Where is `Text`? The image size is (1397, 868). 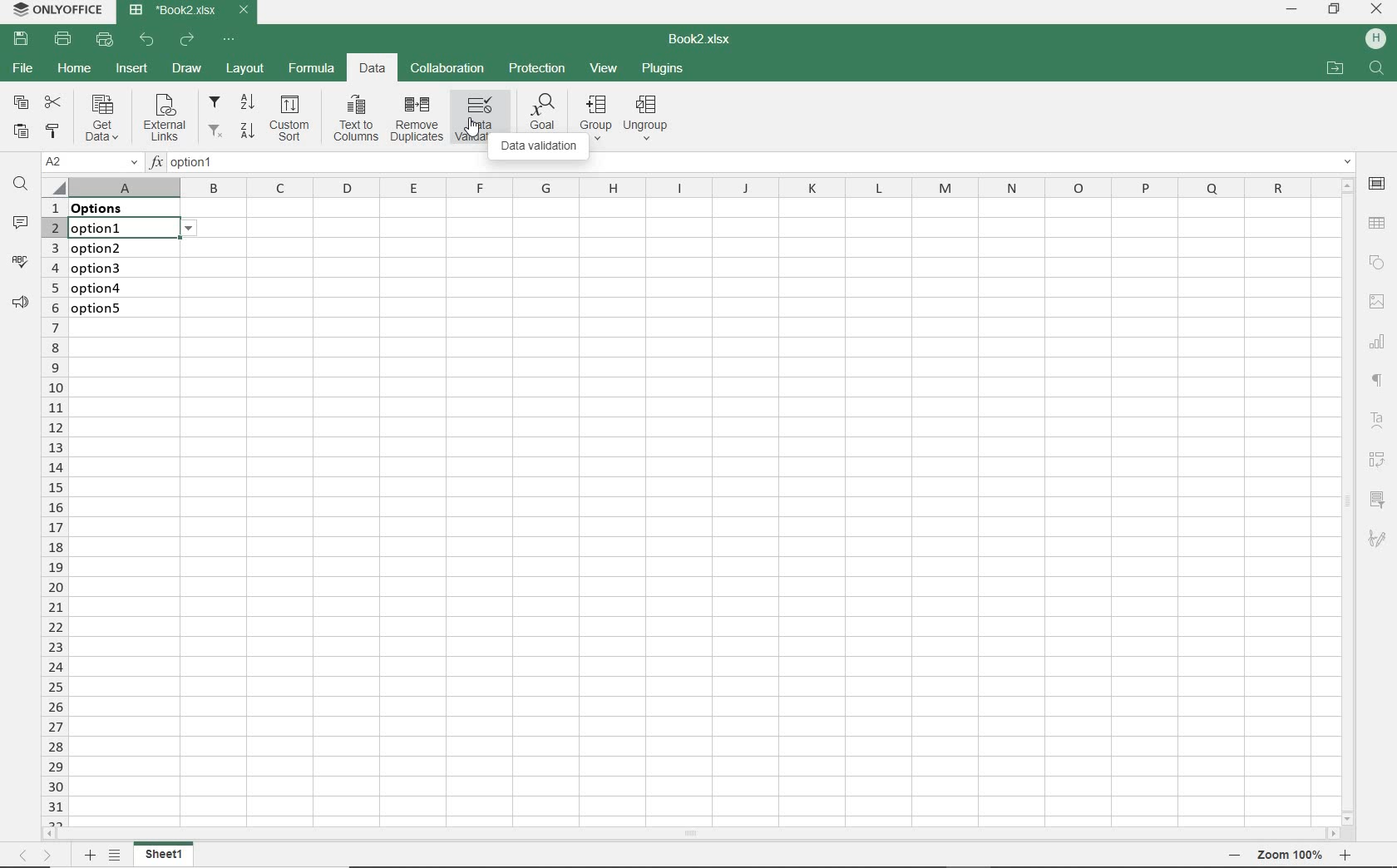
Text is located at coordinates (1377, 421).